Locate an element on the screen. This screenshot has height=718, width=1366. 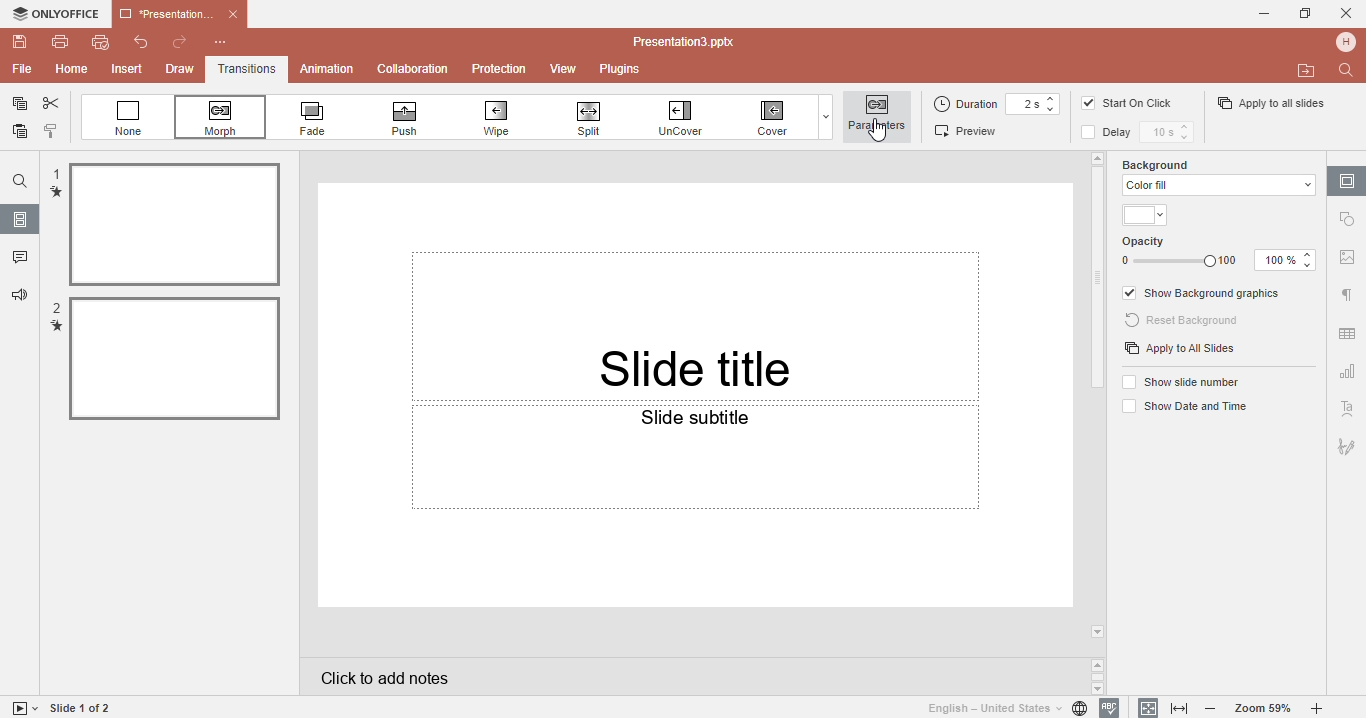
Show date and time is located at coordinates (1182, 408).